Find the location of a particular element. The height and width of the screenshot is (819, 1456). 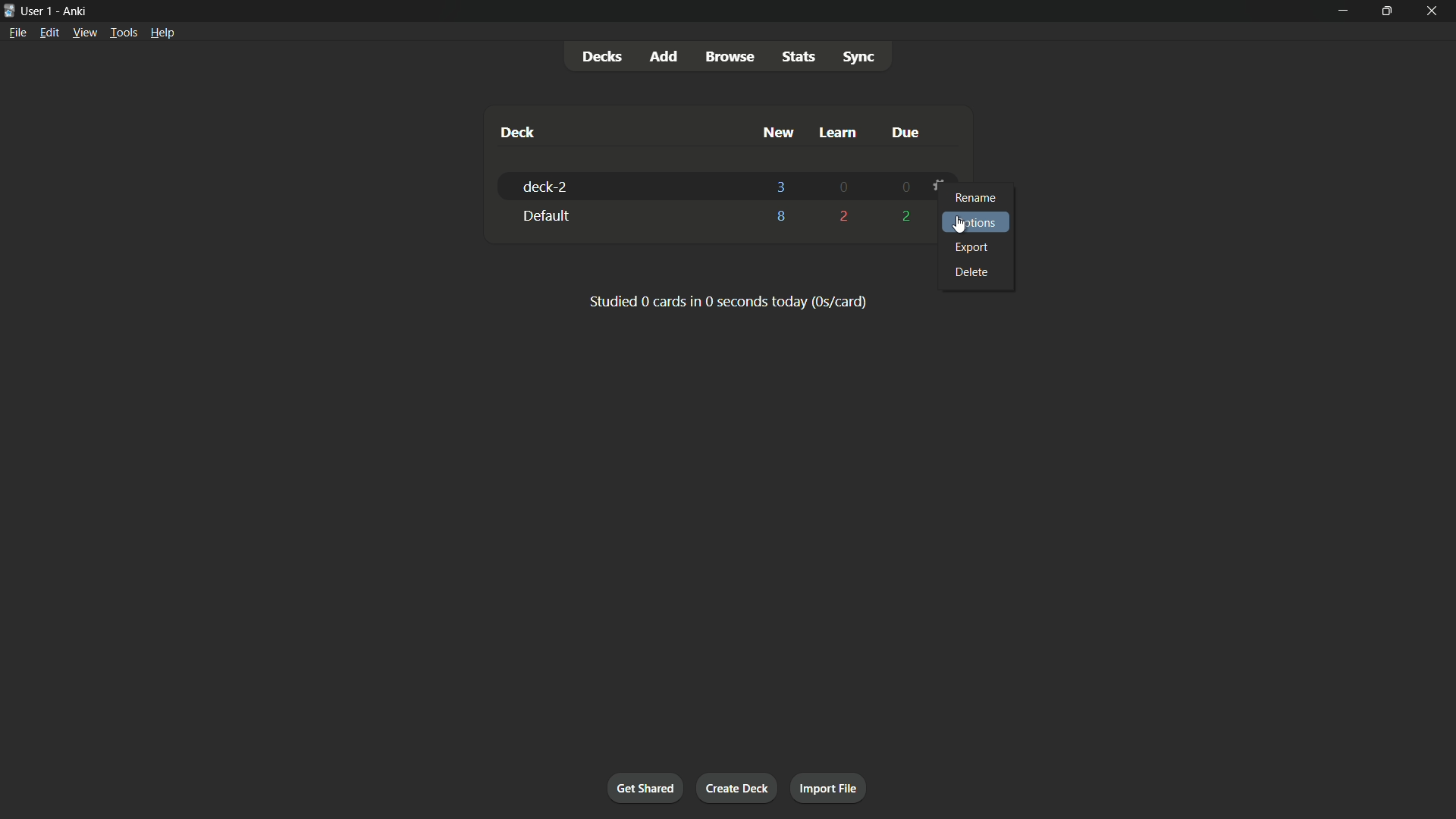

browse is located at coordinates (730, 56).